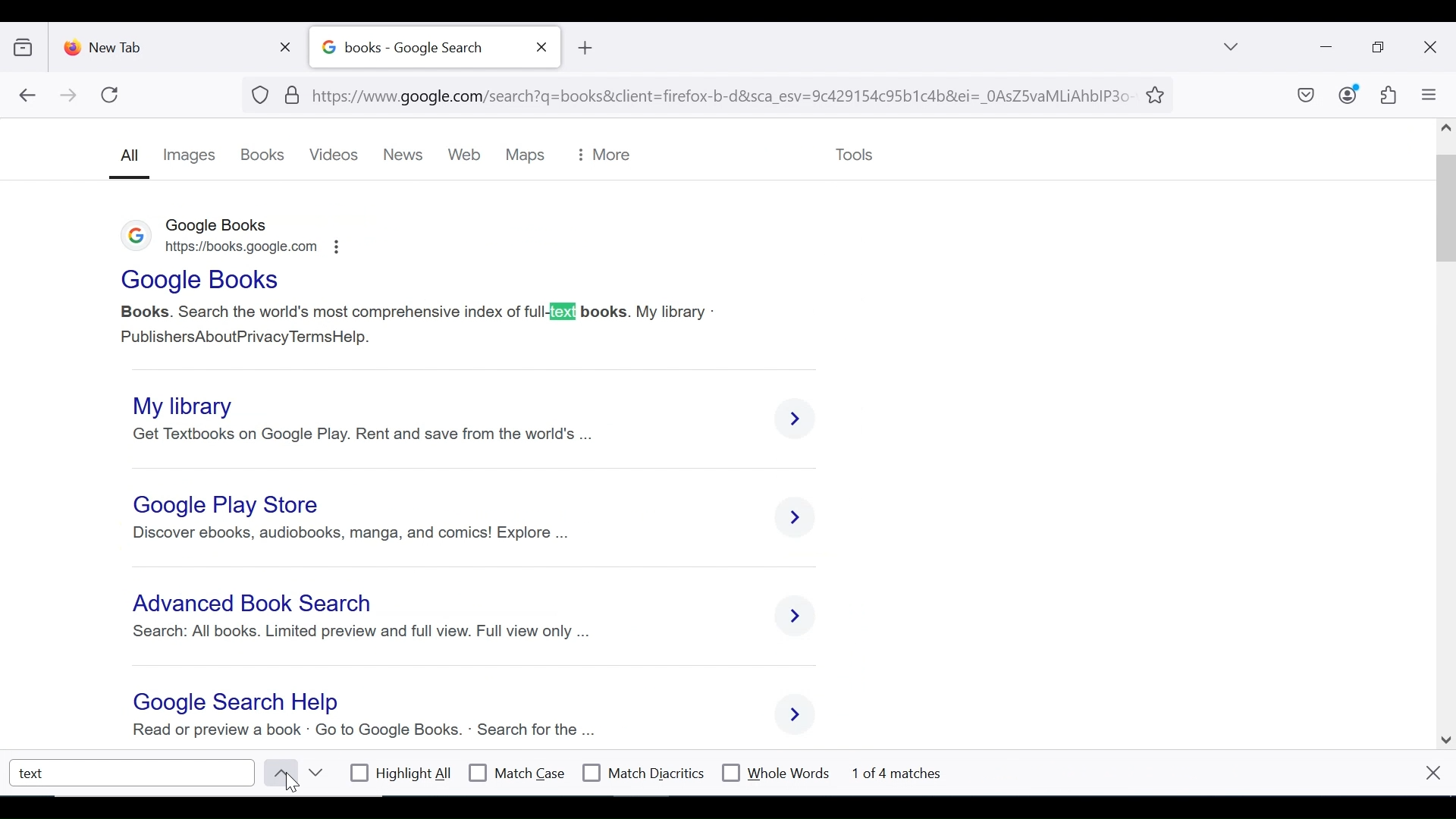 The width and height of the screenshot is (1456, 819). What do you see at coordinates (542, 47) in the screenshot?
I see `close tab` at bounding box center [542, 47].